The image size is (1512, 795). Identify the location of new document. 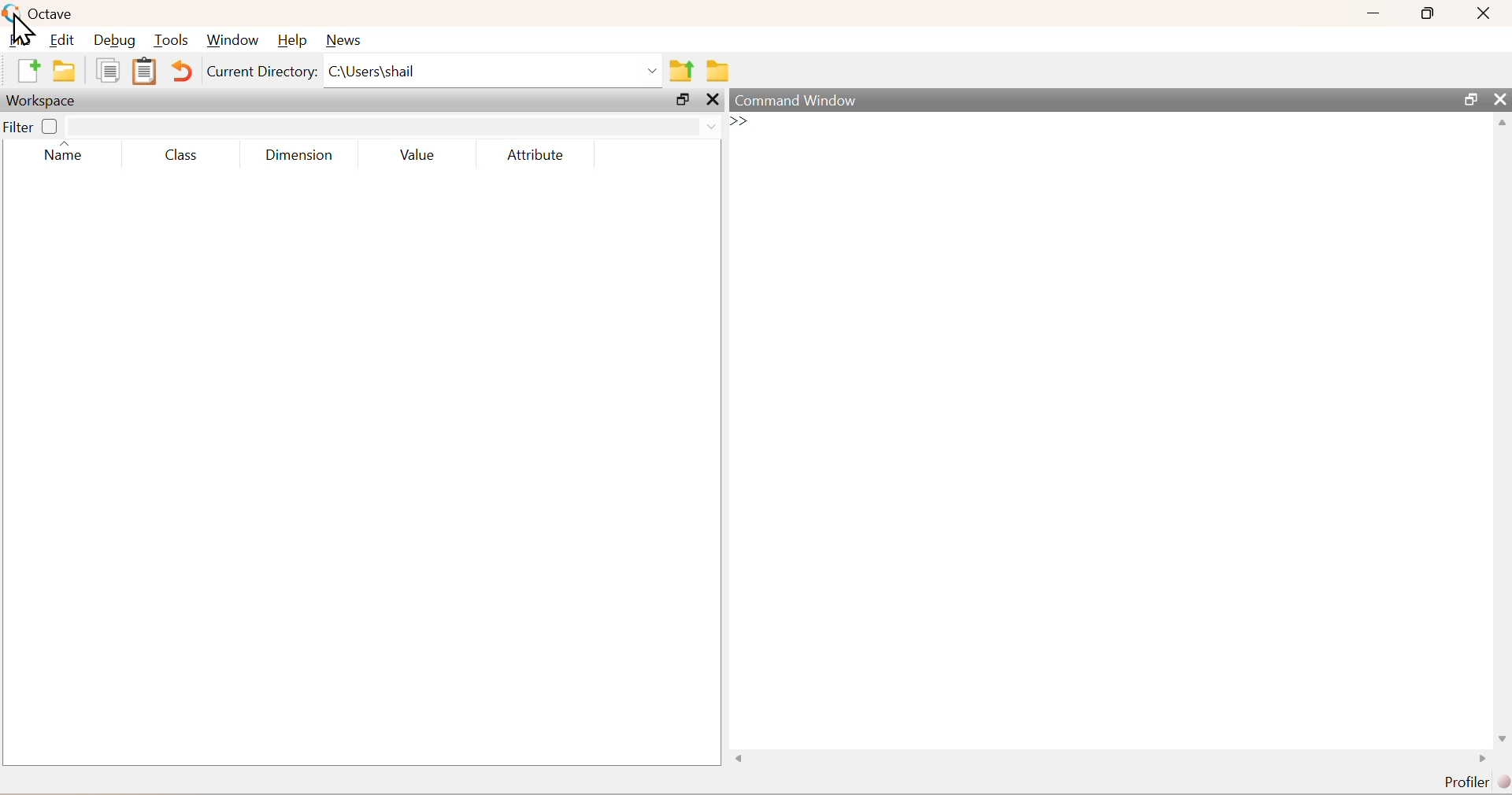
(28, 72).